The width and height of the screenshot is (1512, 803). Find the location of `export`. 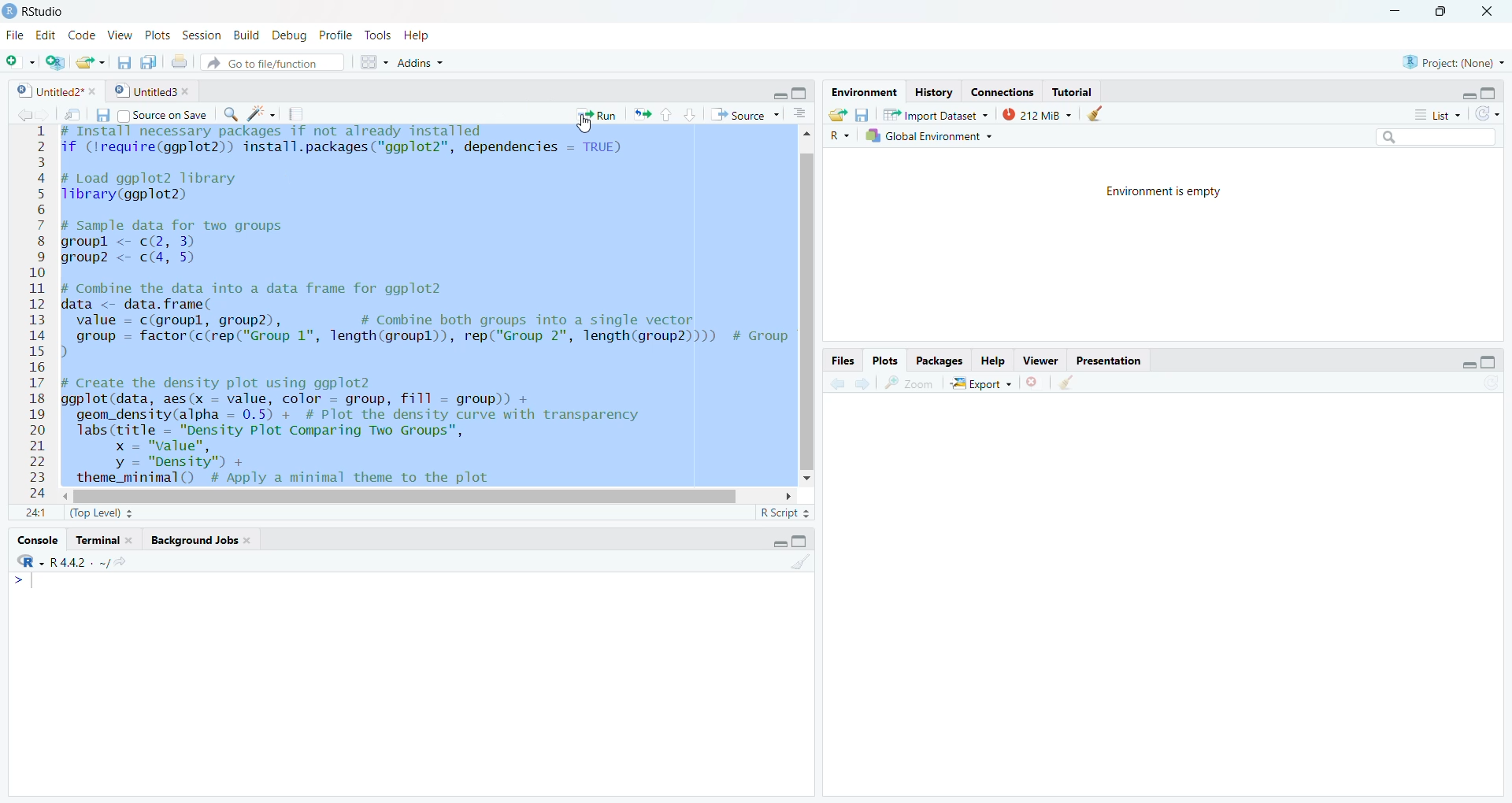

export is located at coordinates (980, 381).